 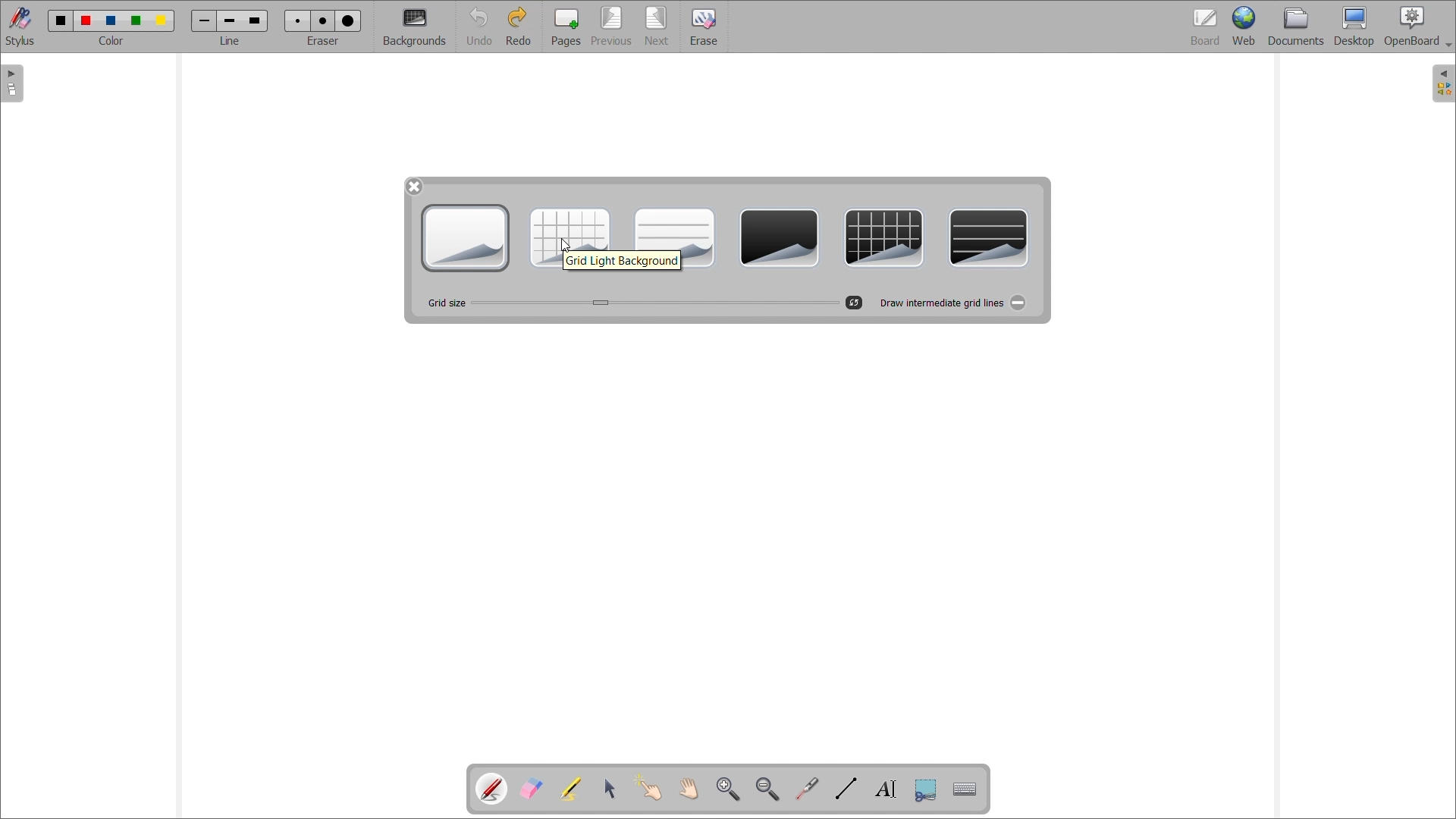 I want to click on Eraser thickness options, so click(x=323, y=21).